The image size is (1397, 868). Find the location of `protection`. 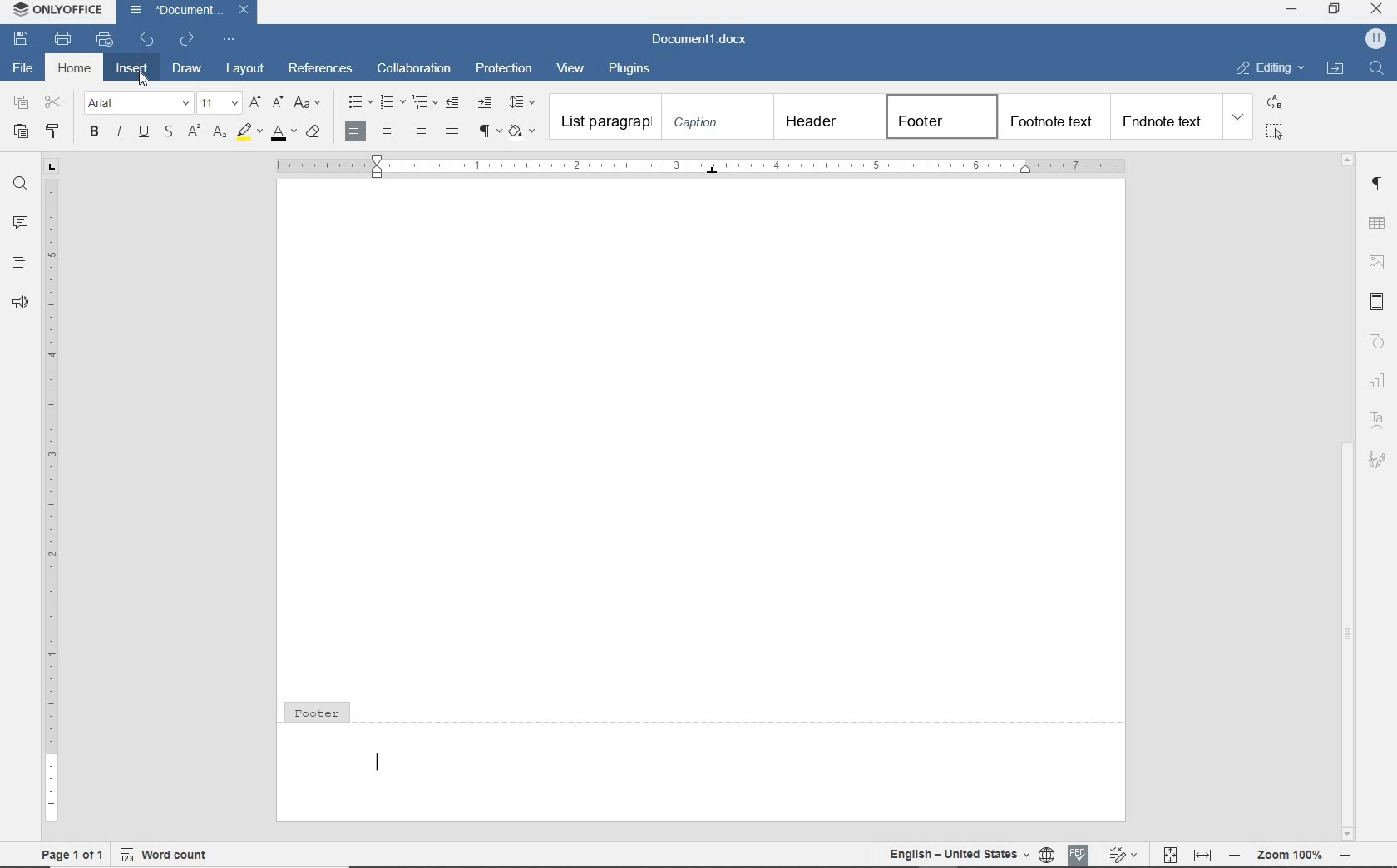

protection is located at coordinates (502, 68).